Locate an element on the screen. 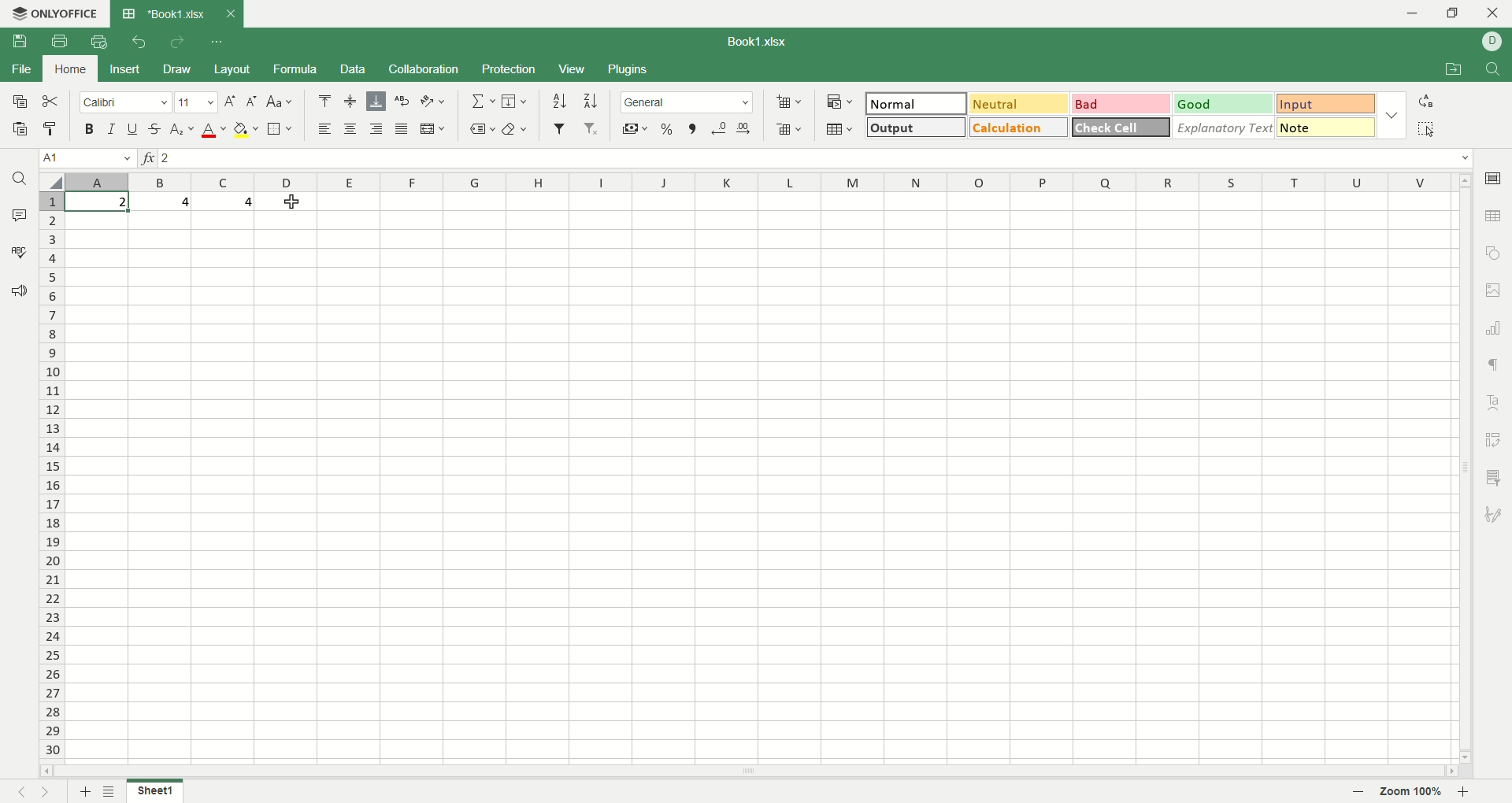 This screenshot has width=1512, height=803. format as table template is located at coordinates (838, 131).